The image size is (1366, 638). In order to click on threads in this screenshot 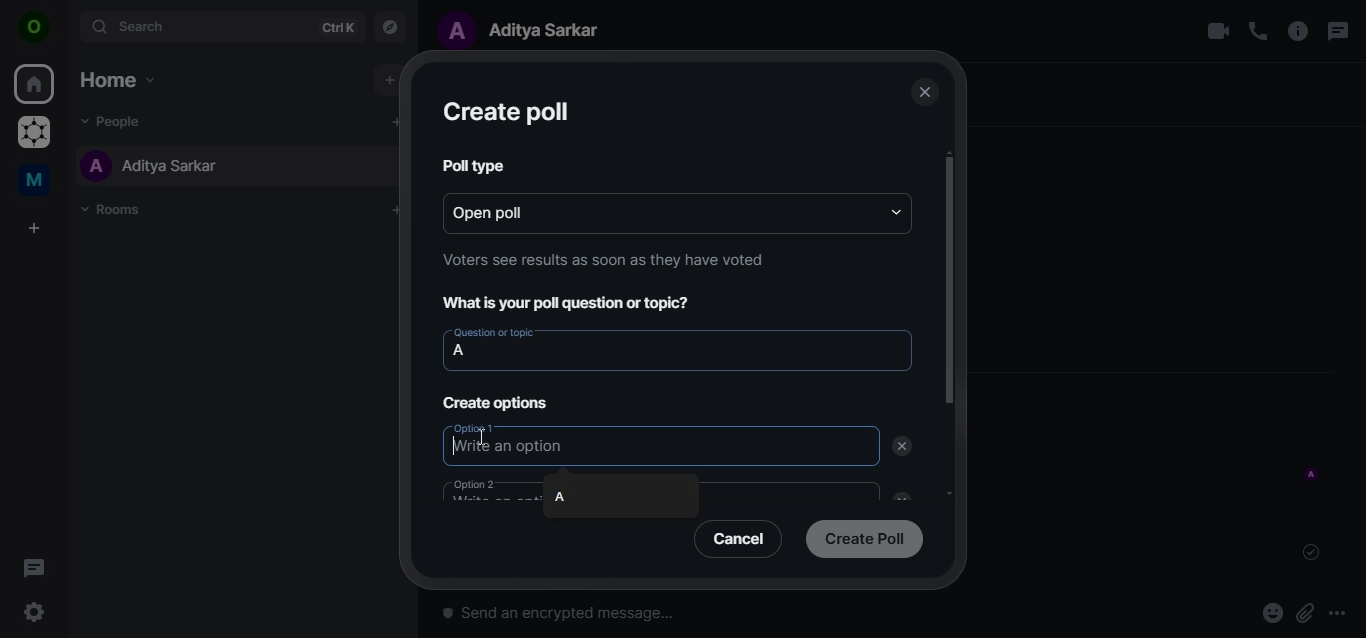, I will do `click(1336, 31)`.